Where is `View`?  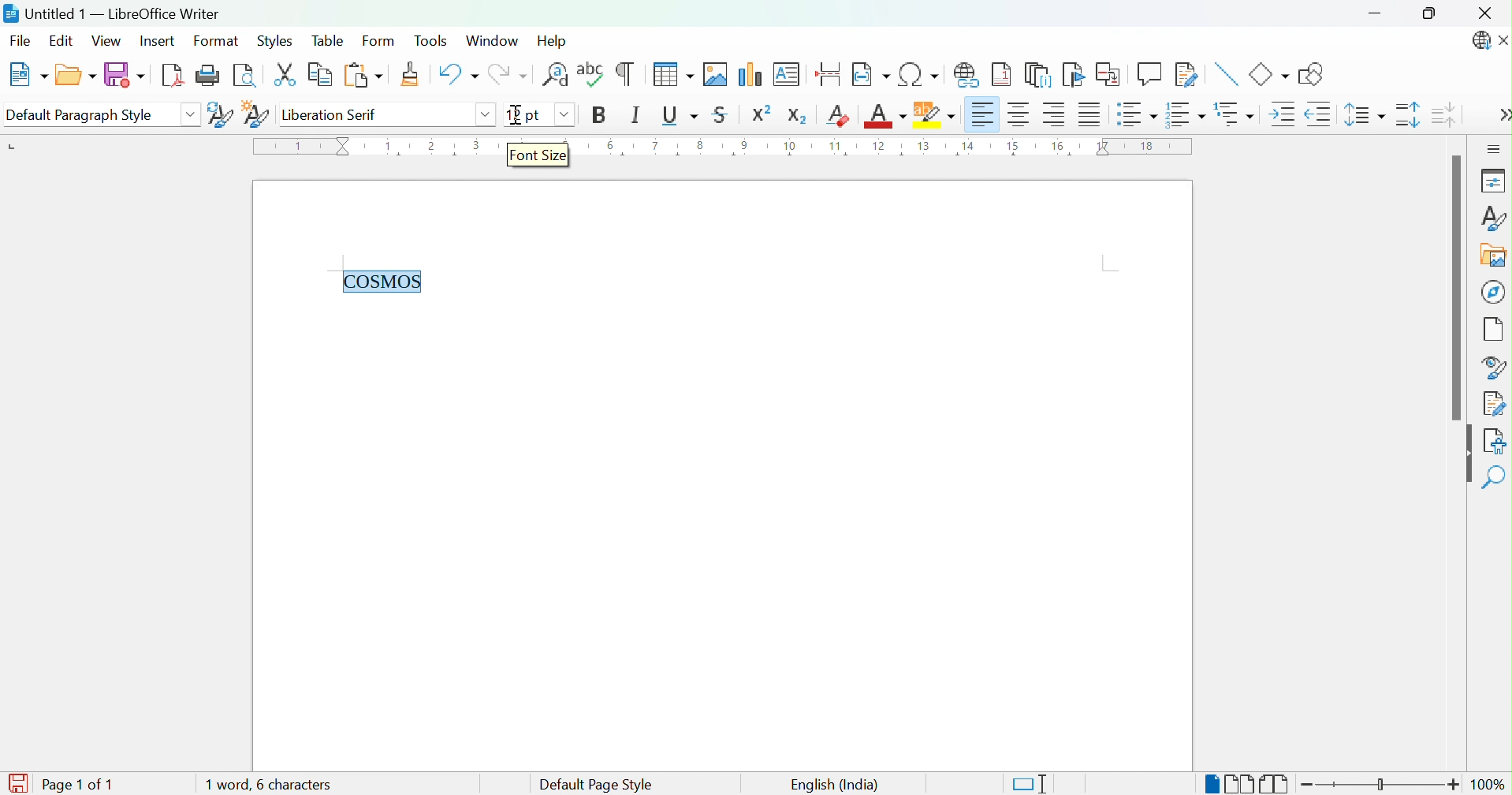
View is located at coordinates (107, 42).